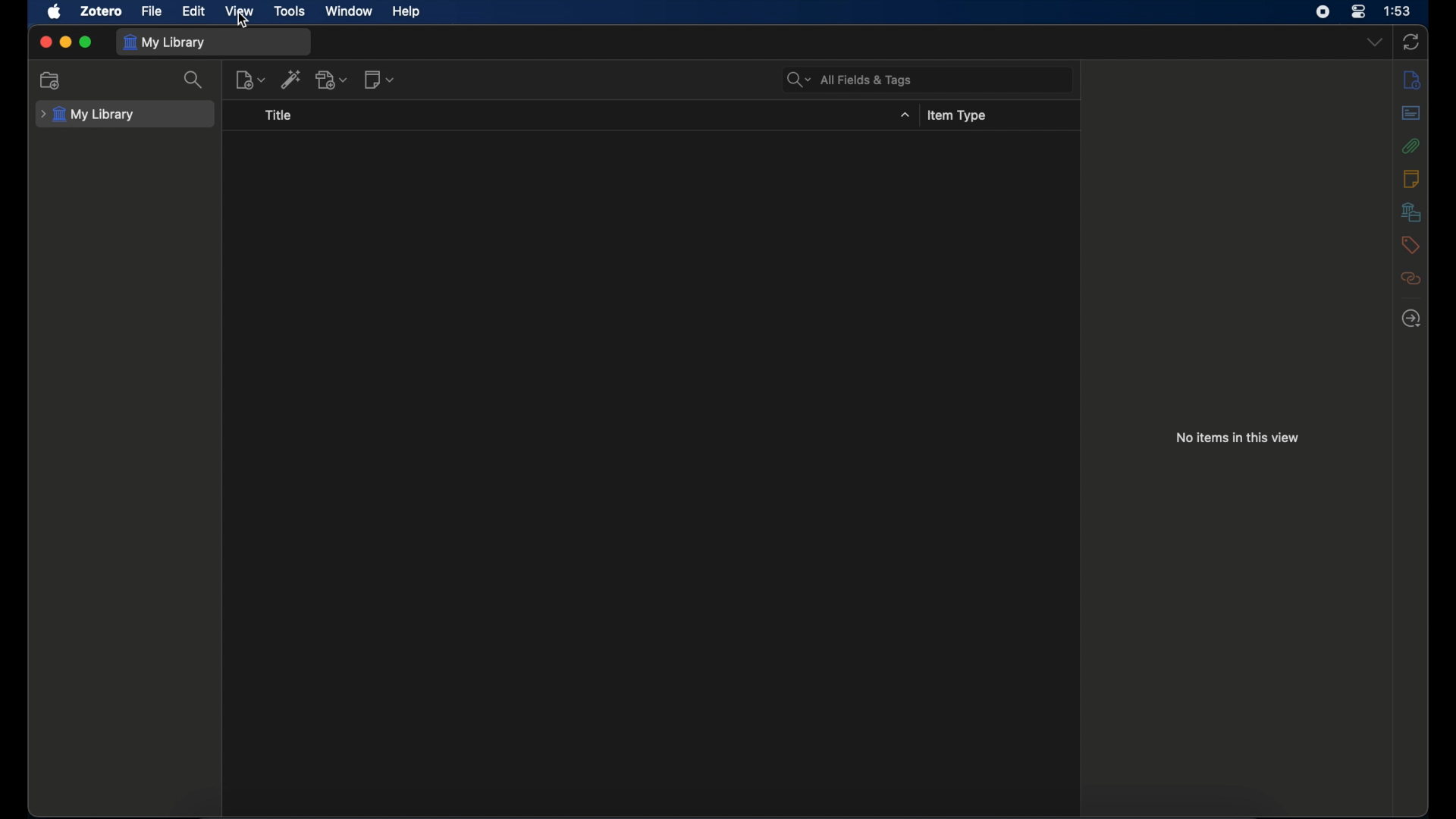  What do you see at coordinates (1411, 212) in the screenshot?
I see `libraries` at bounding box center [1411, 212].